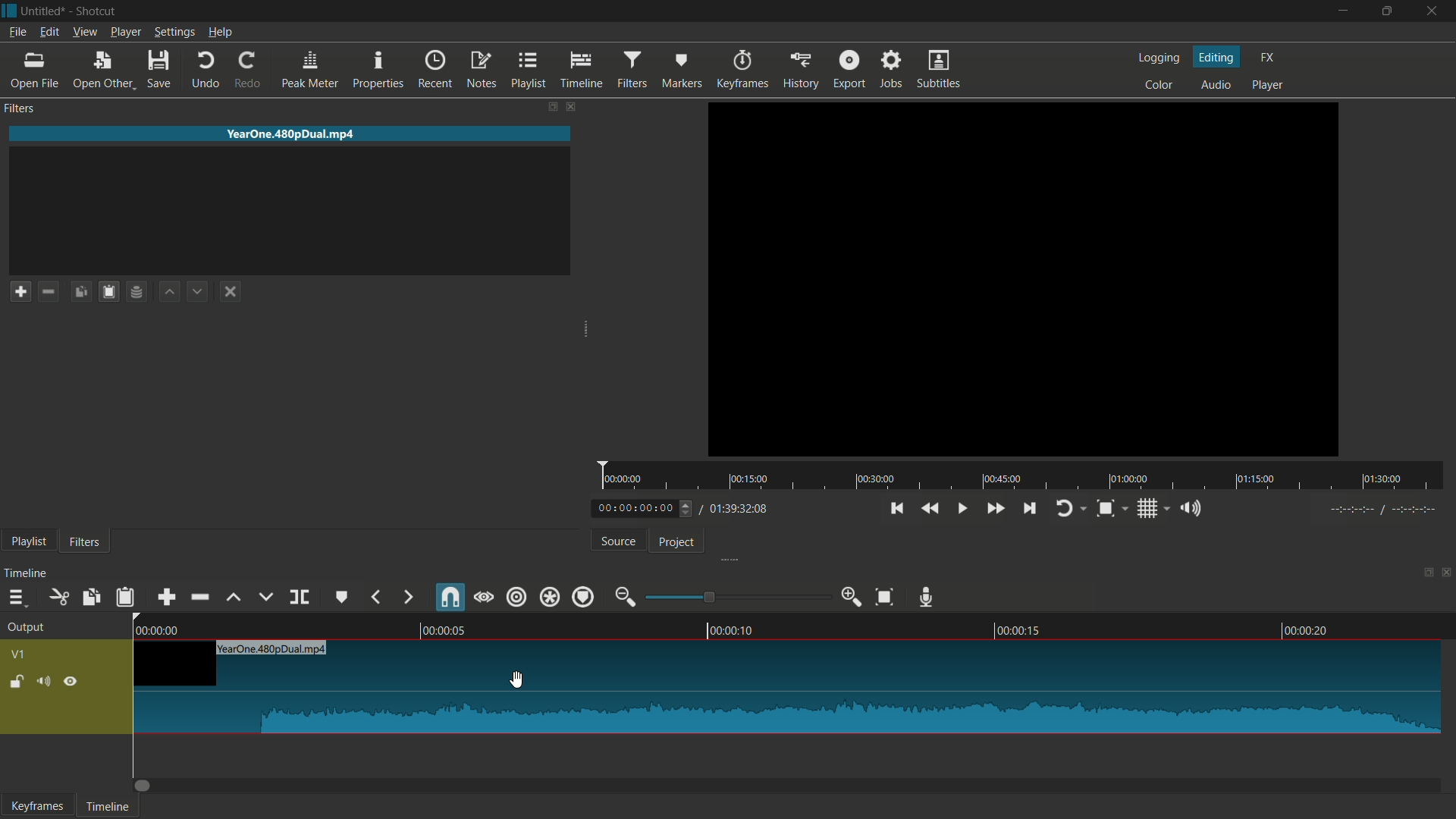 The height and width of the screenshot is (819, 1456). Describe the element at coordinates (58, 598) in the screenshot. I see `cut` at that location.